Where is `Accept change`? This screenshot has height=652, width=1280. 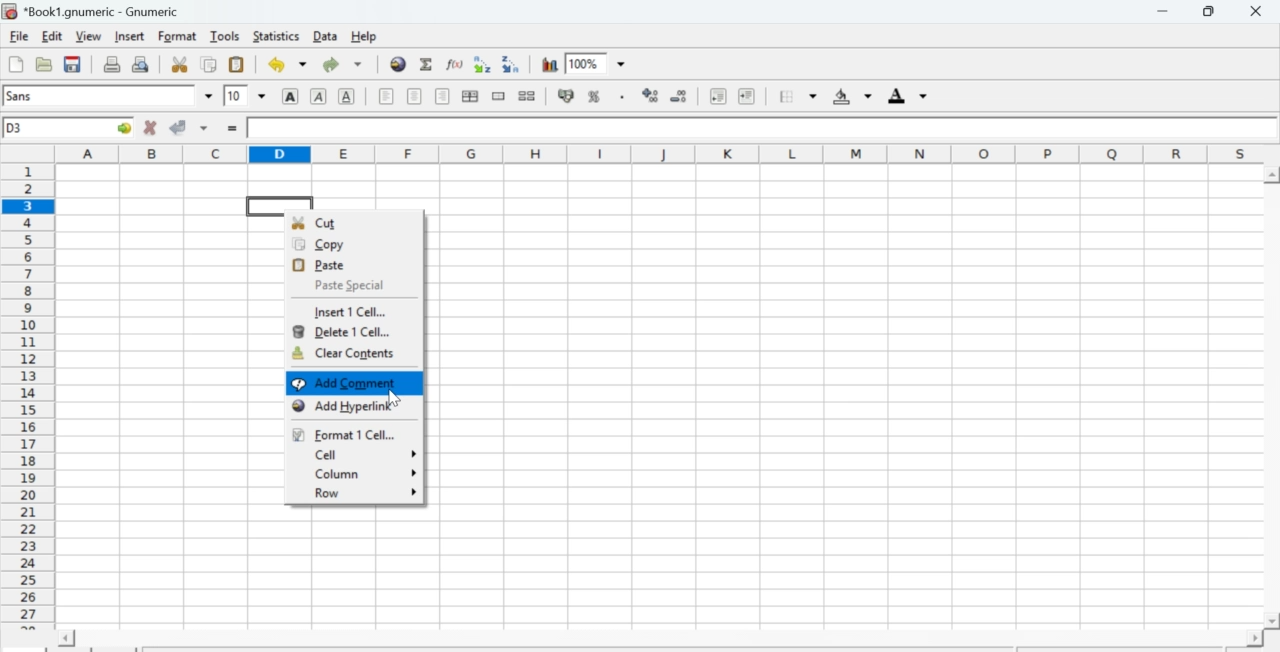 Accept change is located at coordinates (177, 127).